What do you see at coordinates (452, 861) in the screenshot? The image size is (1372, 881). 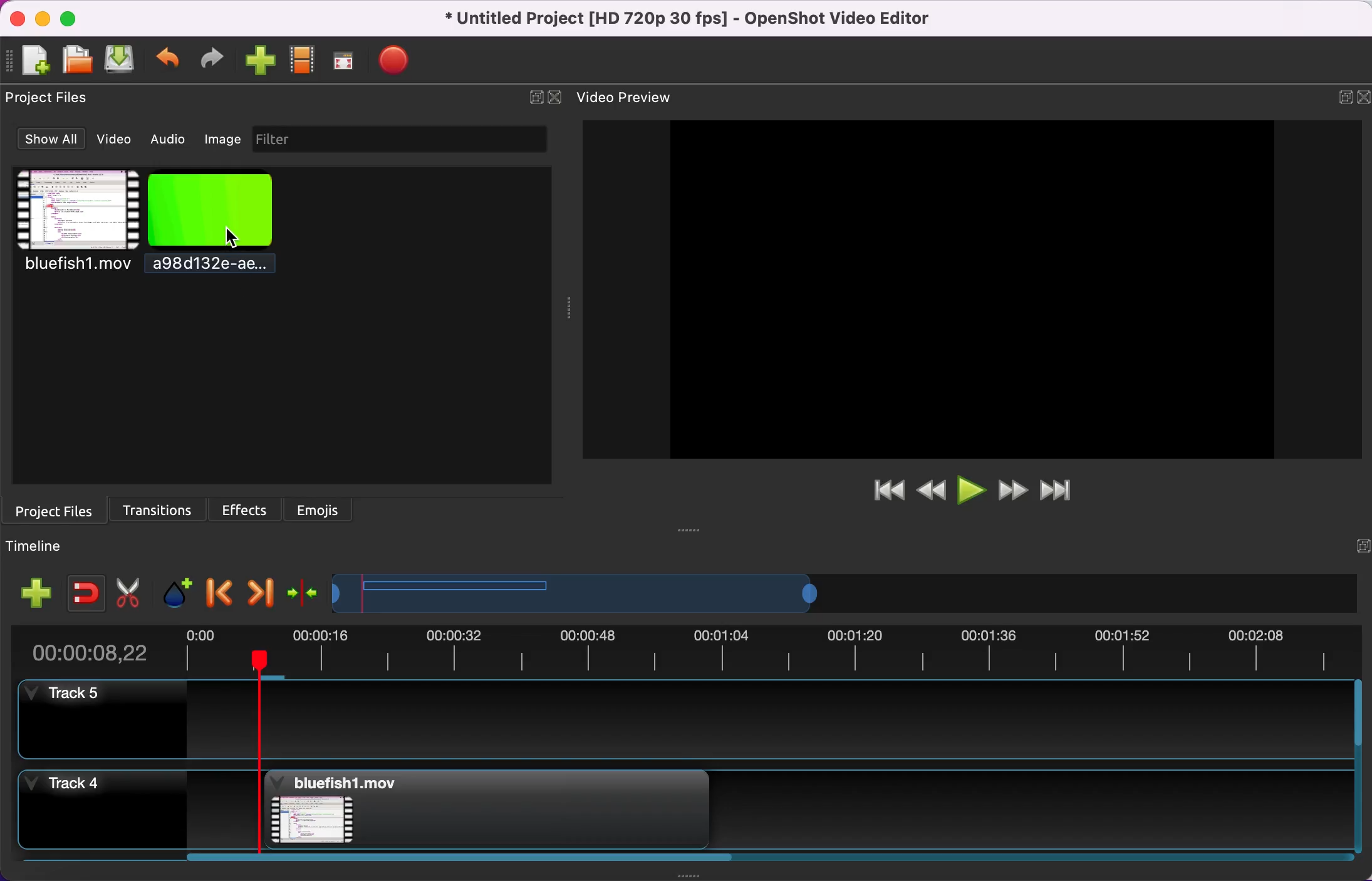 I see `scroll bar` at bounding box center [452, 861].